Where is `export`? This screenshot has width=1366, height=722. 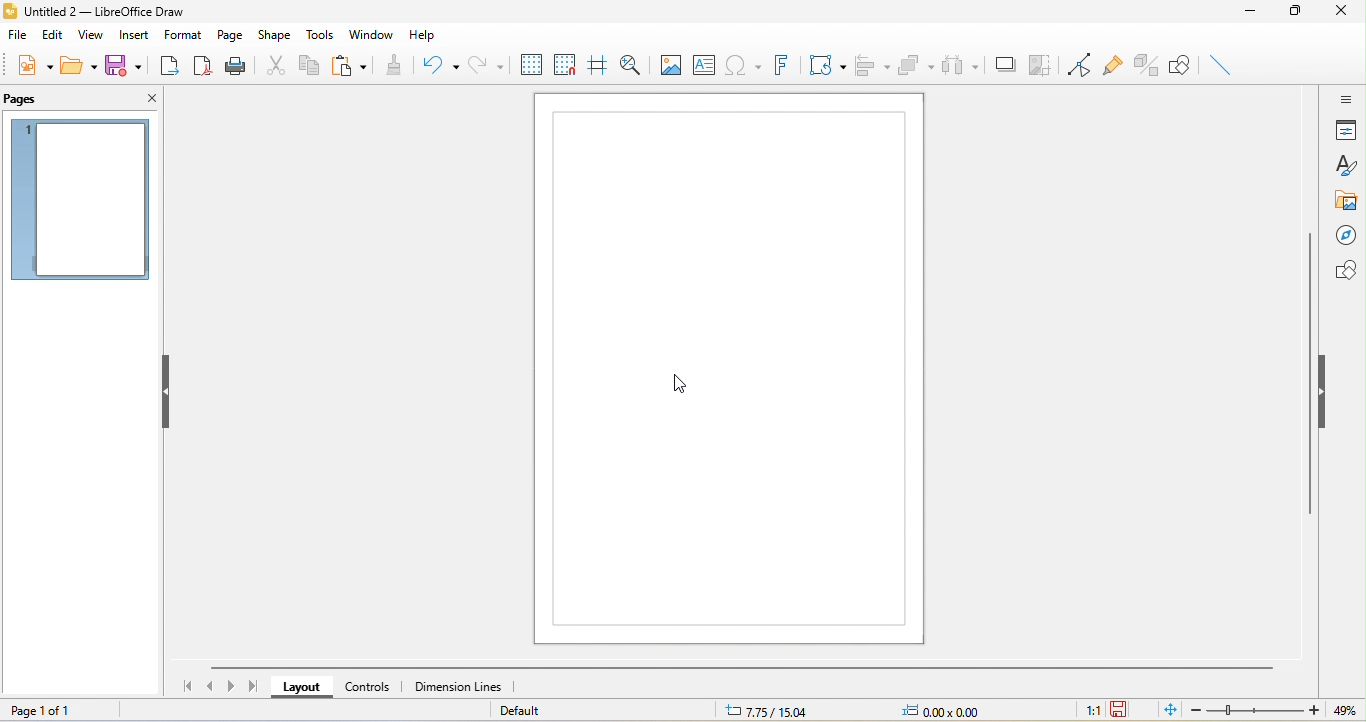
export is located at coordinates (165, 65).